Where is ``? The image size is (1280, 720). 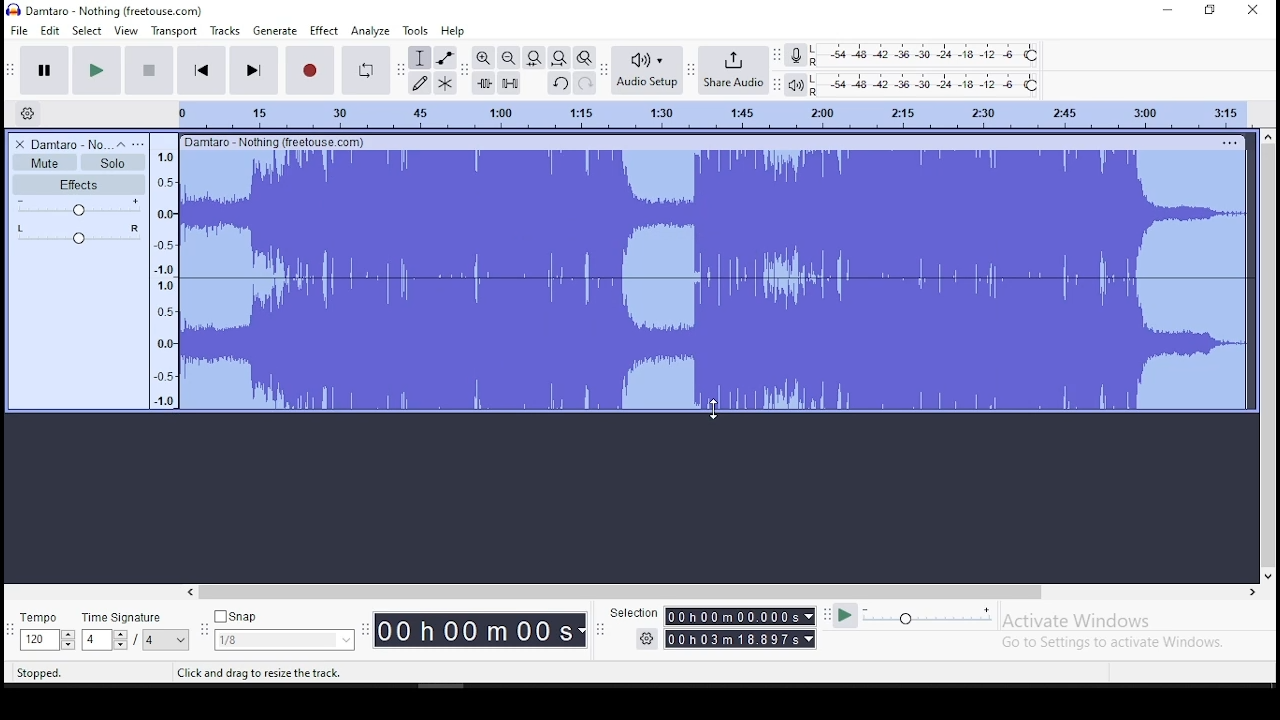
 is located at coordinates (463, 68).